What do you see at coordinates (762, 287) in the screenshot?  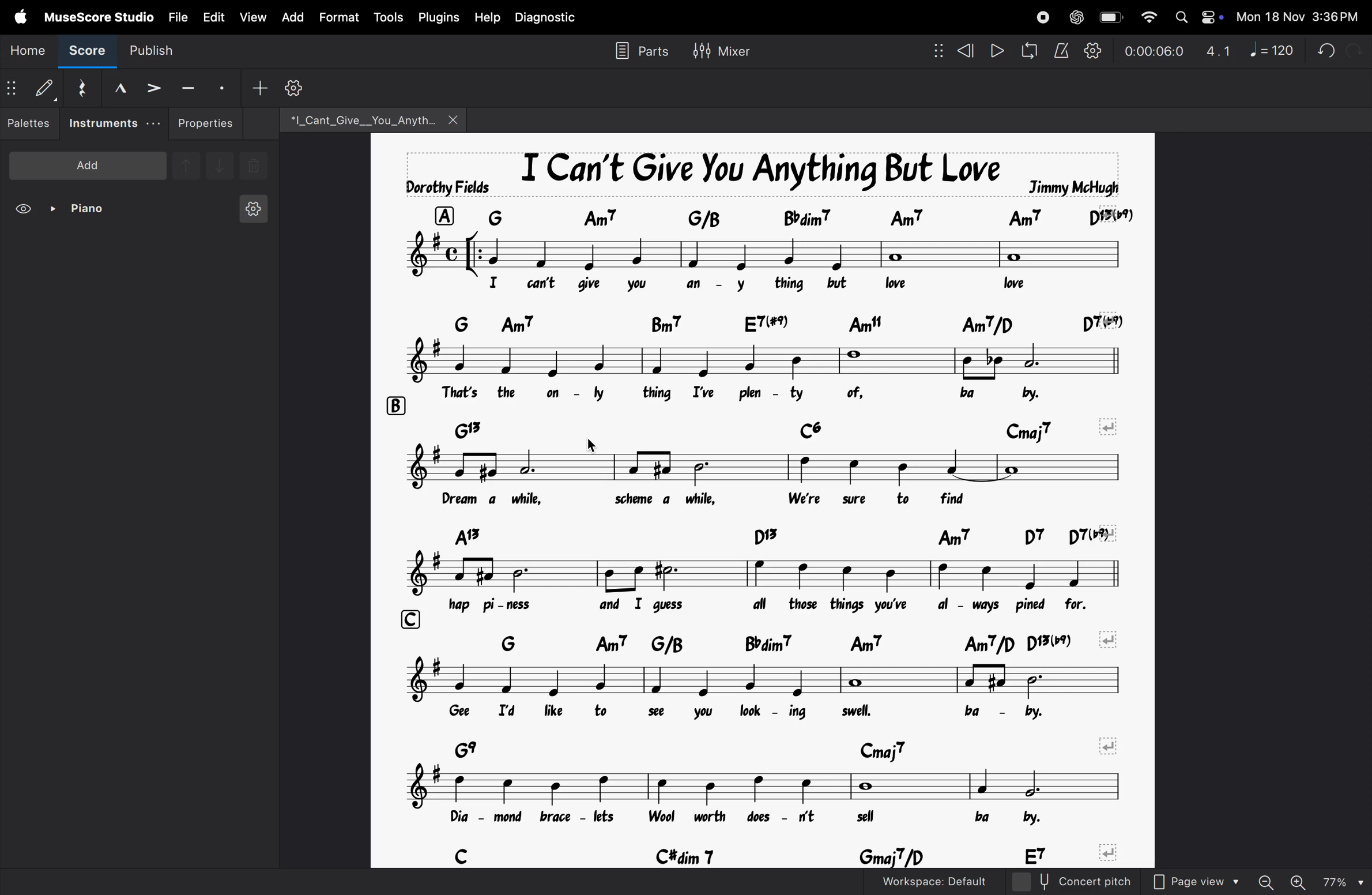 I see `lyrics` at bounding box center [762, 287].